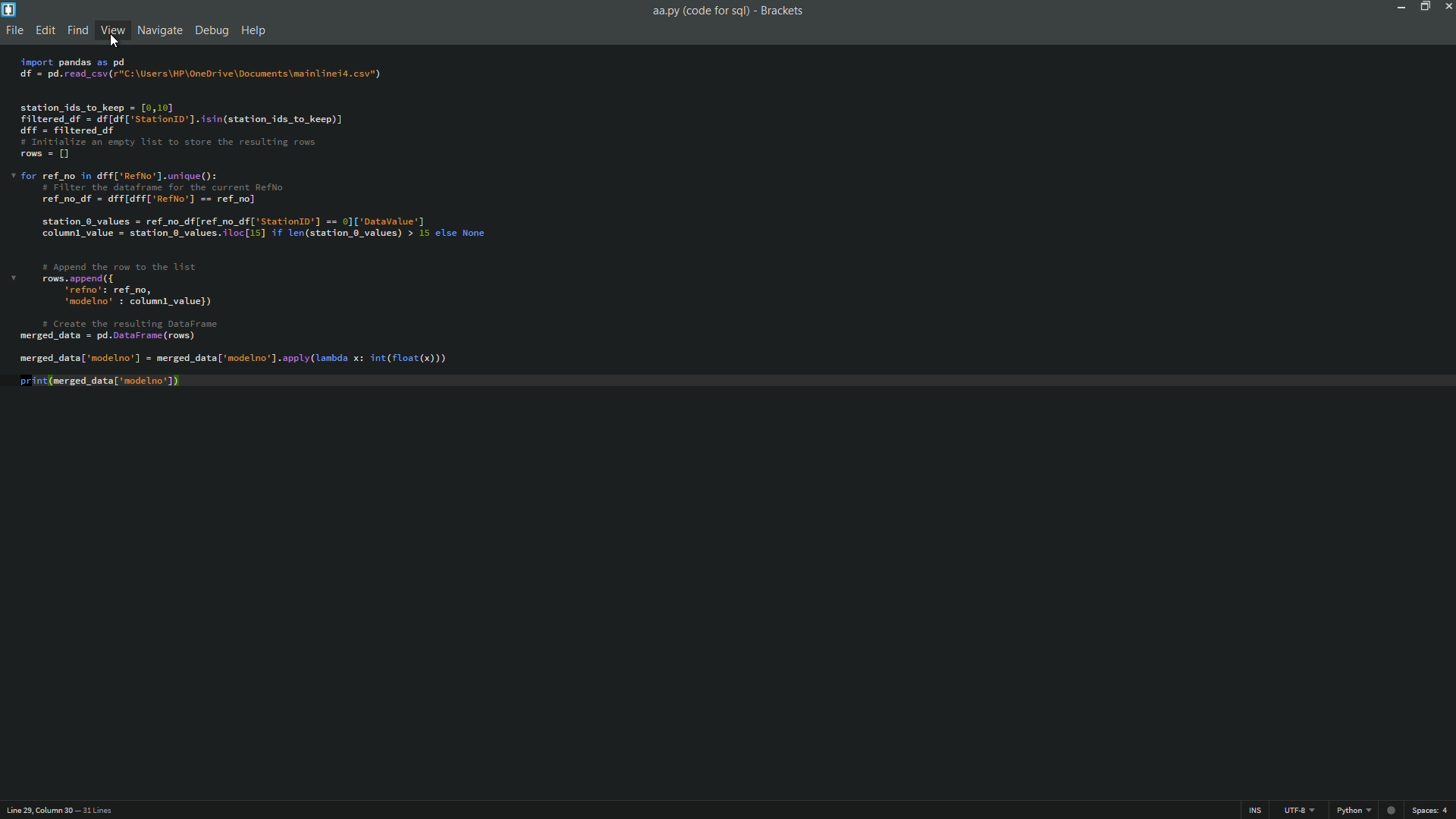 The image size is (1456, 819). Describe the element at coordinates (254, 30) in the screenshot. I see `help menu` at that location.